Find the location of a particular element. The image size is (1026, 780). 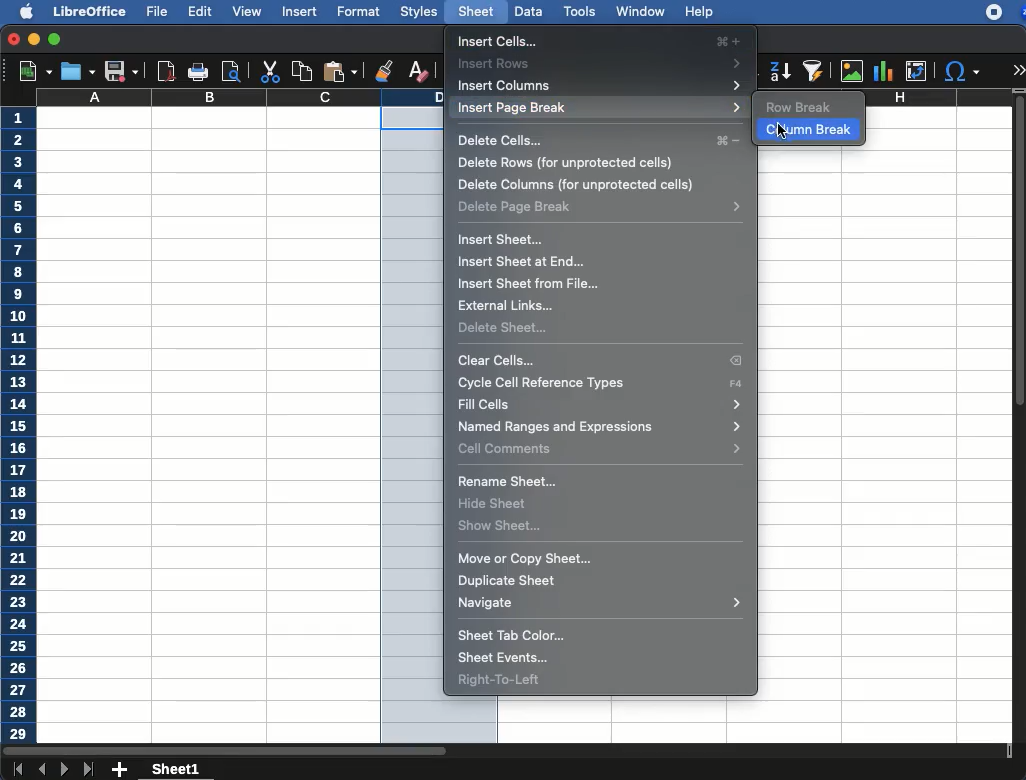

edit is located at coordinates (200, 11).